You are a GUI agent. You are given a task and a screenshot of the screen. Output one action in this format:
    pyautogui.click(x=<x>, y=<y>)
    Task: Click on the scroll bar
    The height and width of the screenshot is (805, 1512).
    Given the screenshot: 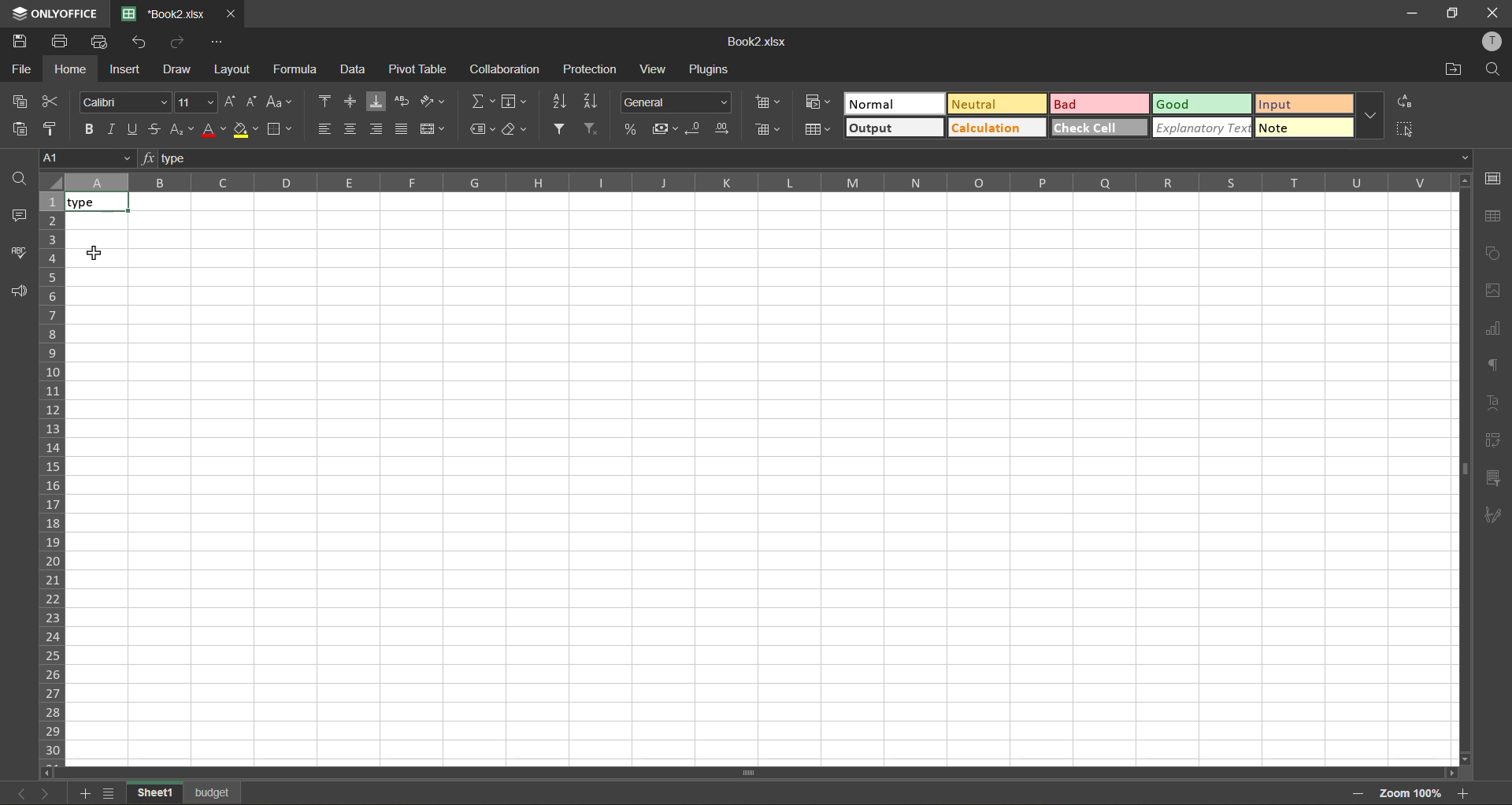 What is the action you would take?
    pyautogui.click(x=684, y=774)
    